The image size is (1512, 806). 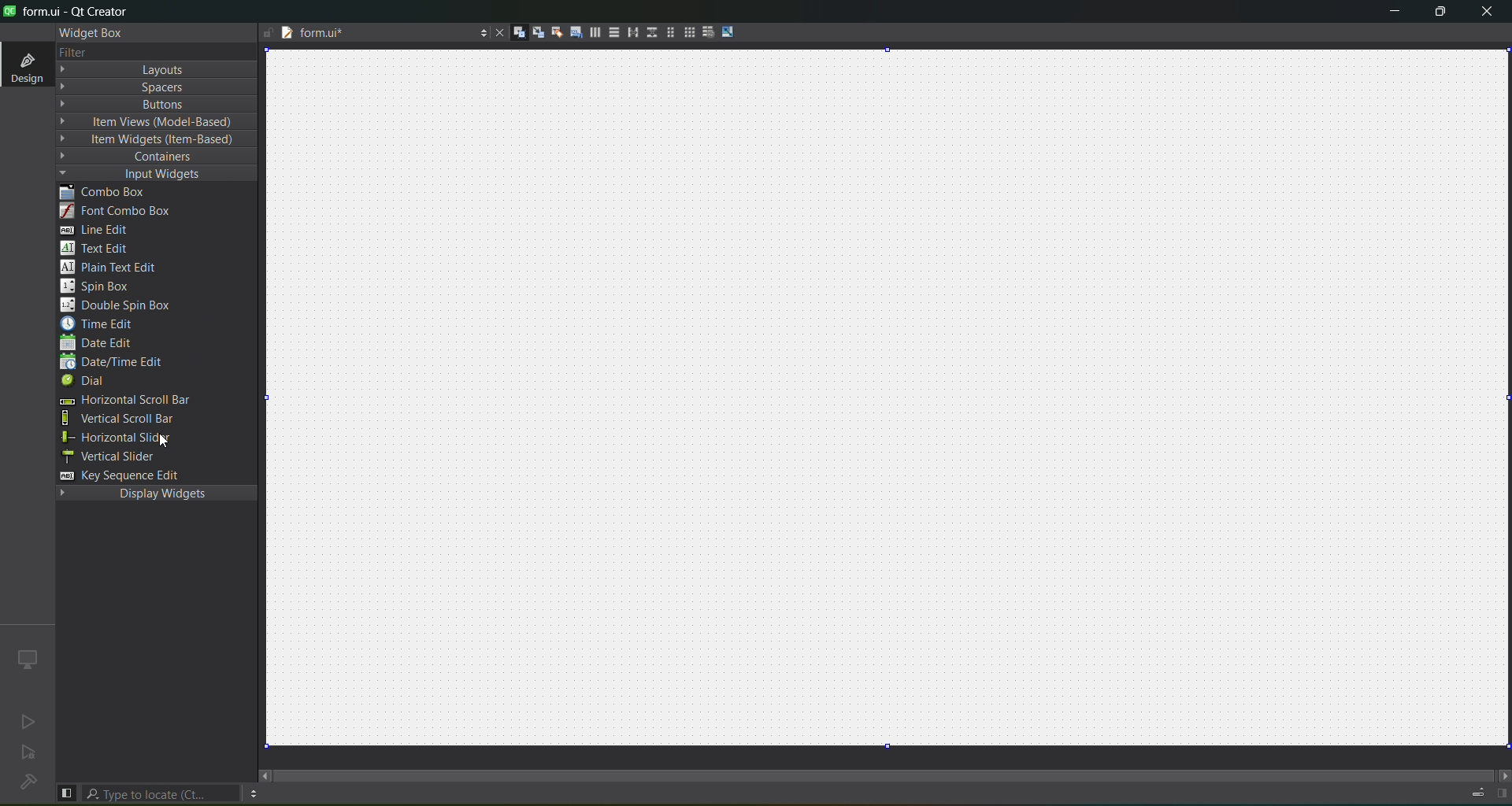 I want to click on horizontal splitter, so click(x=632, y=33).